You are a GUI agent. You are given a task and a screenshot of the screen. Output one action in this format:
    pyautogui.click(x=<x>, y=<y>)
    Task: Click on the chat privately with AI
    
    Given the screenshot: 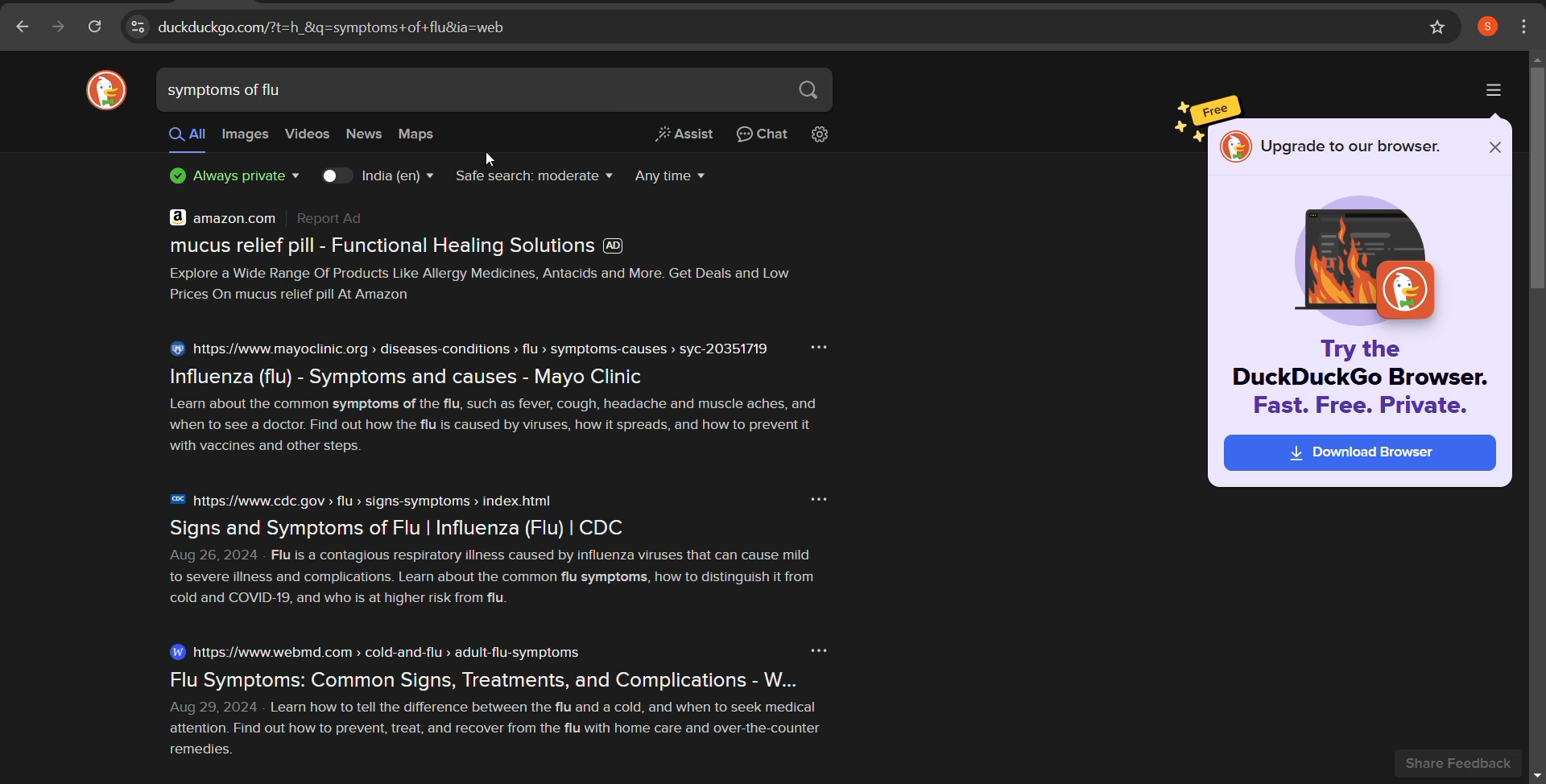 What is the action you would take?
    pyautogui.click(x=765, y=135)
    